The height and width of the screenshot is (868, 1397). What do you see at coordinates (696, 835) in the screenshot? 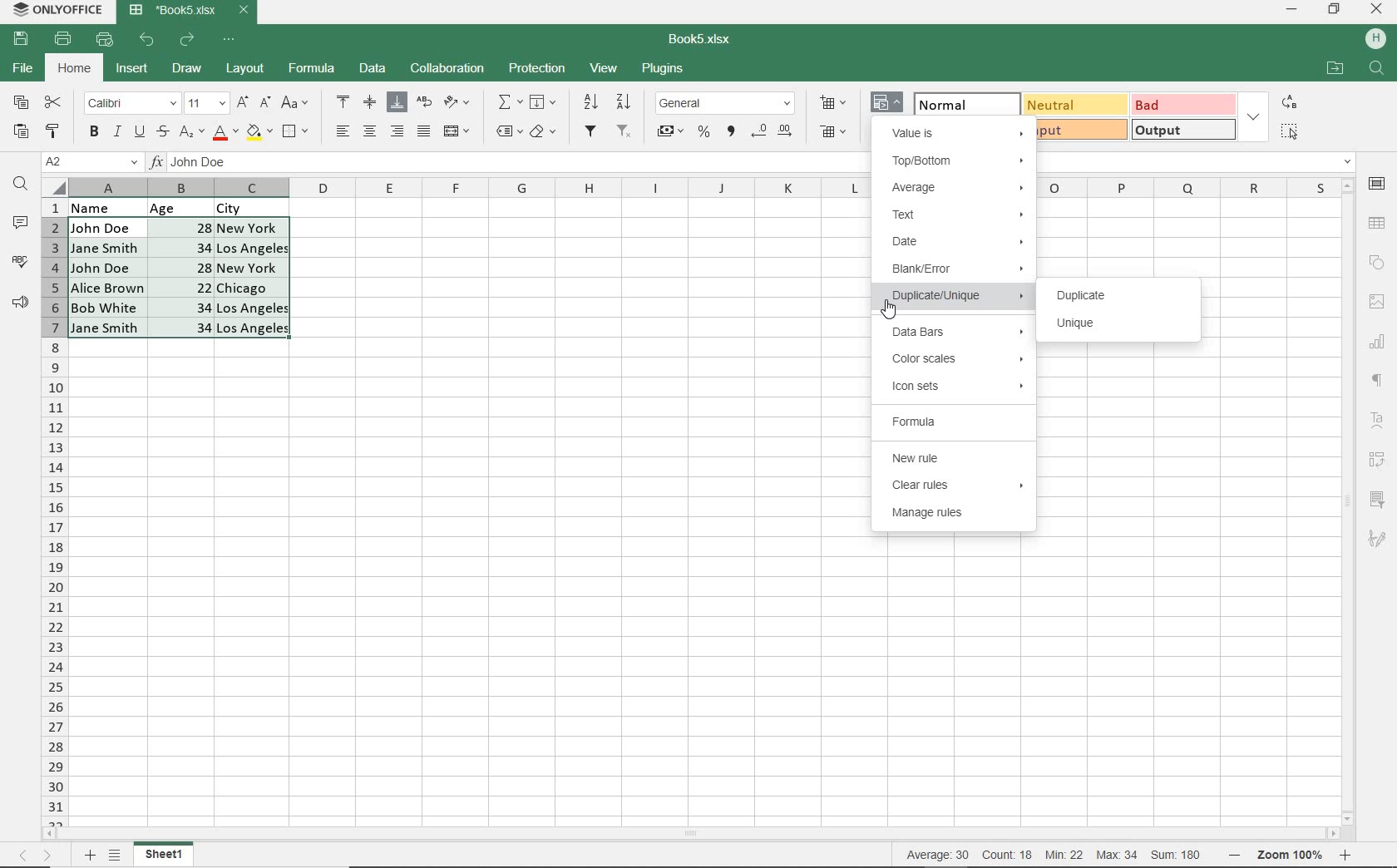
I see `SCROLLBAR` at bounding box center [696, 835].